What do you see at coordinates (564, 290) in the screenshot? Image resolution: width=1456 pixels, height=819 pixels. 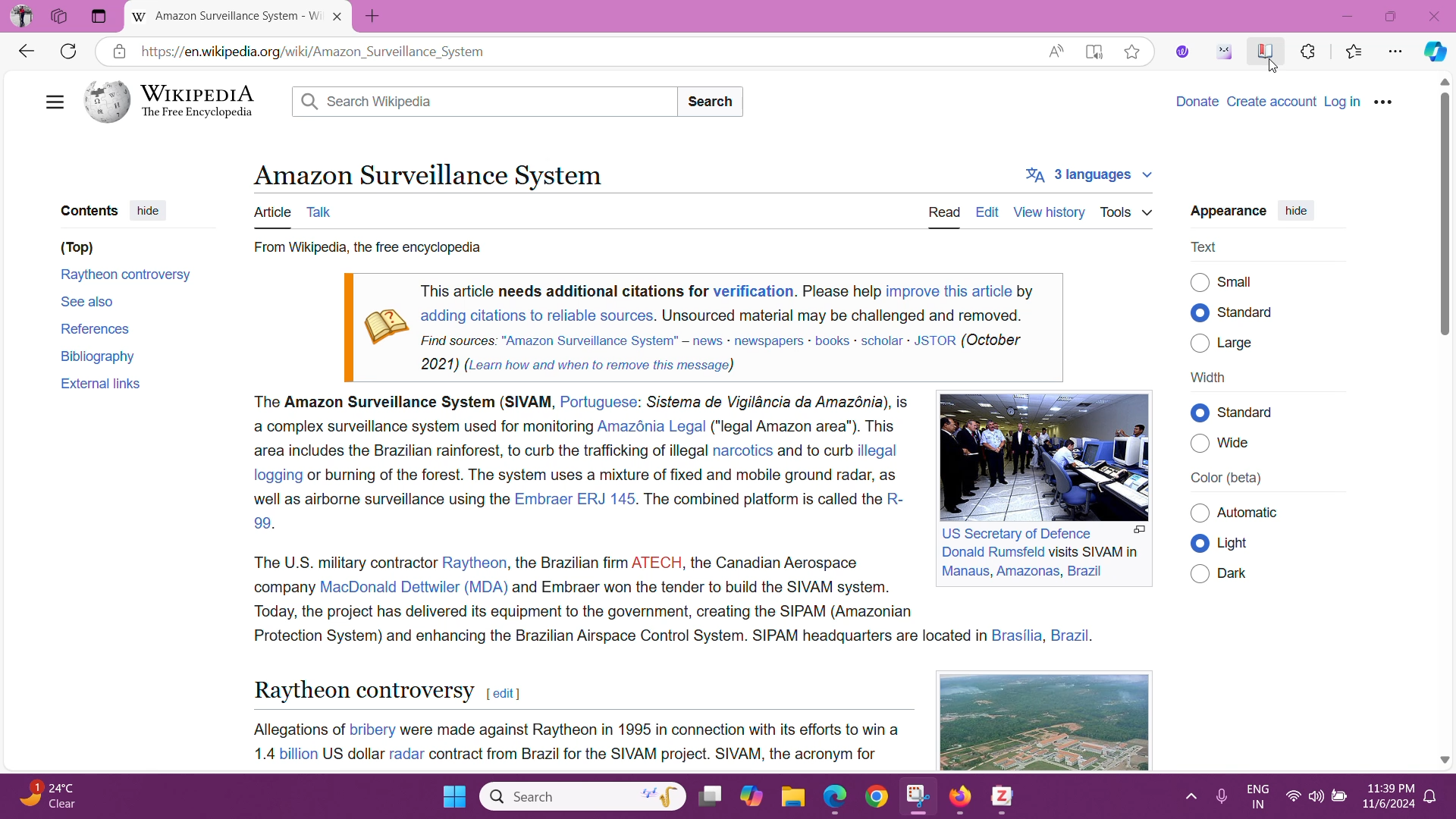 I see `This article needs additional citations for` at bounding box center [564, 290].